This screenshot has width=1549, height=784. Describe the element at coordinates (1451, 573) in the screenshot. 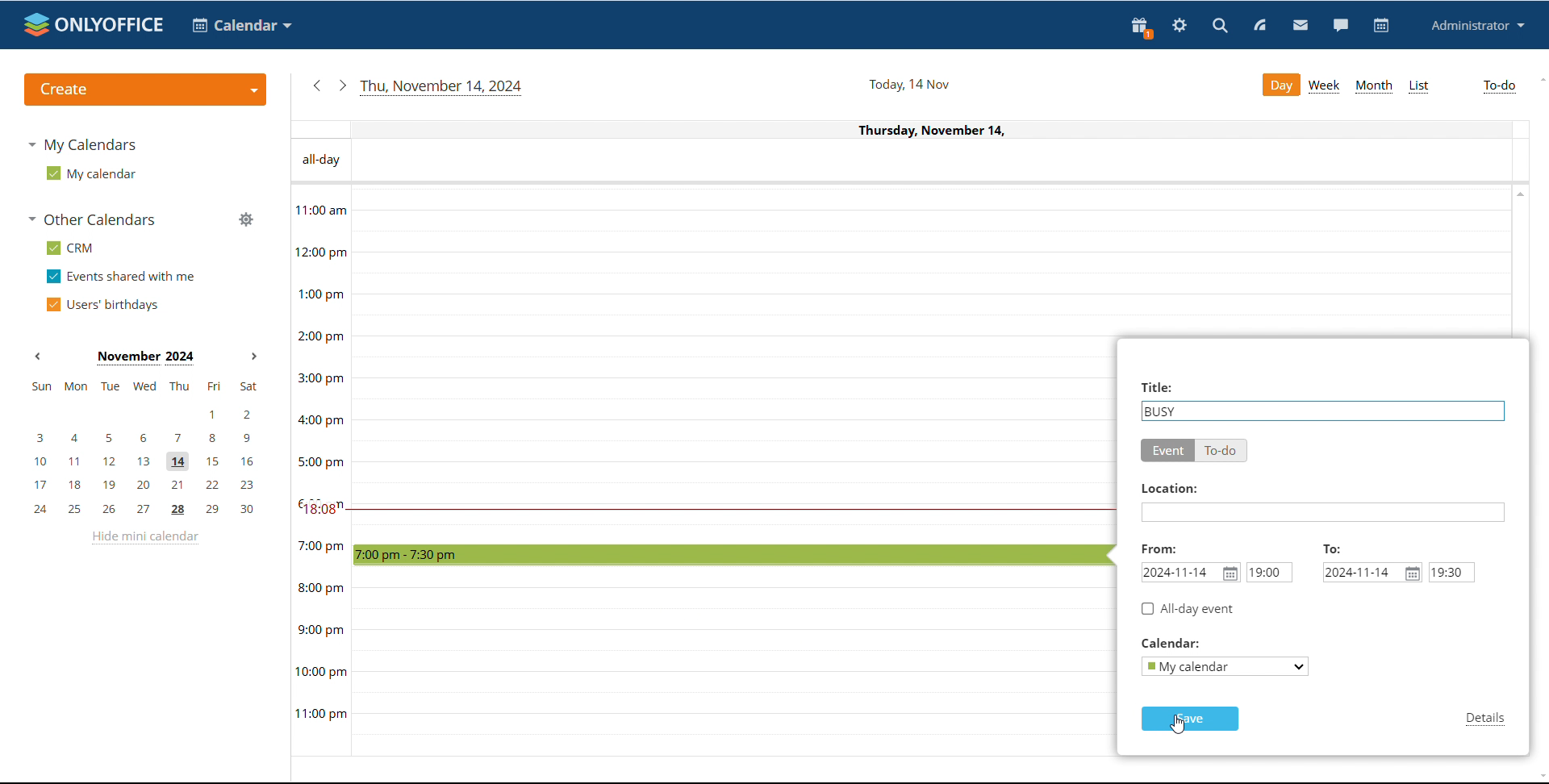

I see `end time` at that location.